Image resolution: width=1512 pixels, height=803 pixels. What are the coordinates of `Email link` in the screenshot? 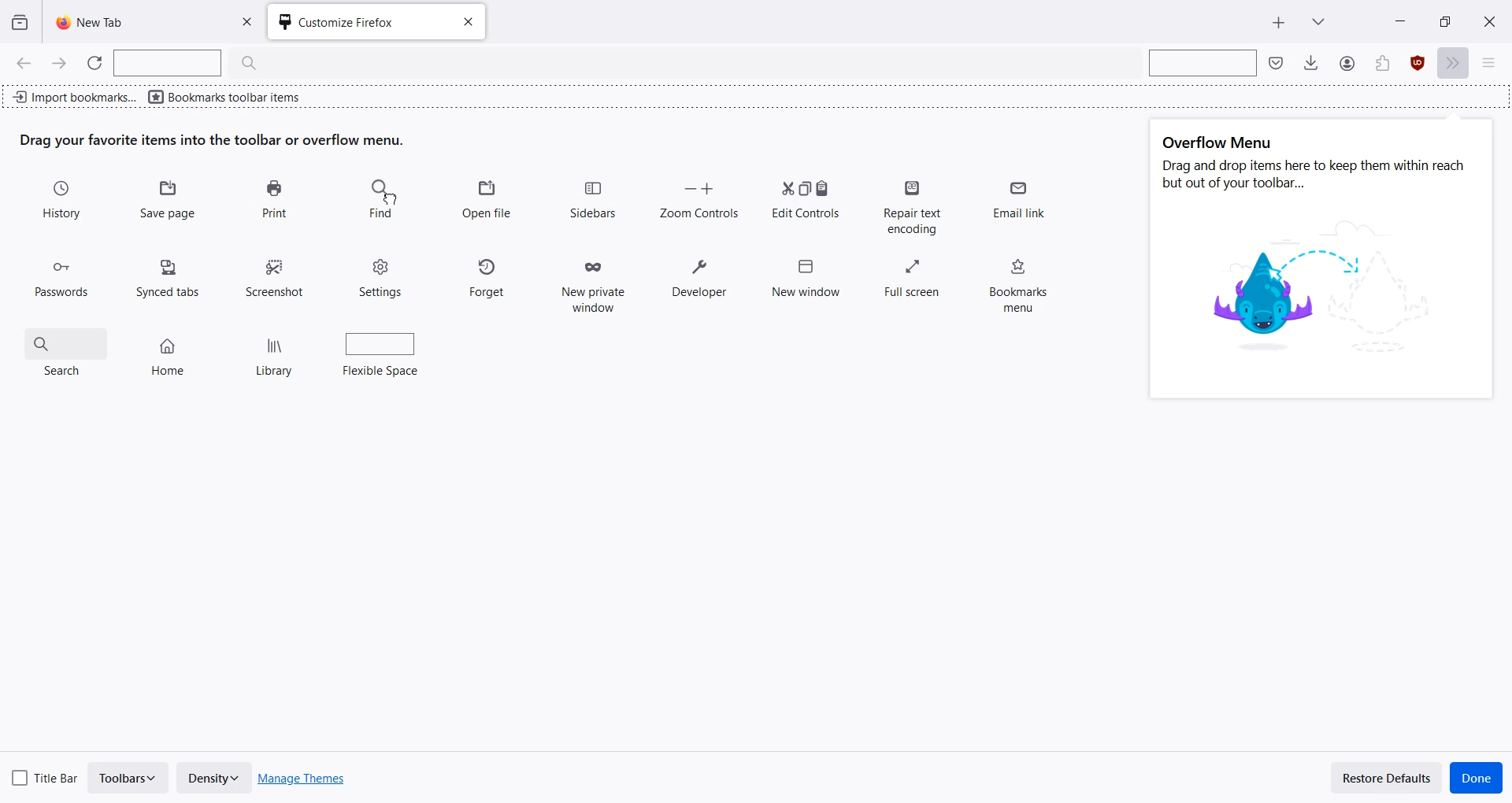 It's located at (1017, 202).